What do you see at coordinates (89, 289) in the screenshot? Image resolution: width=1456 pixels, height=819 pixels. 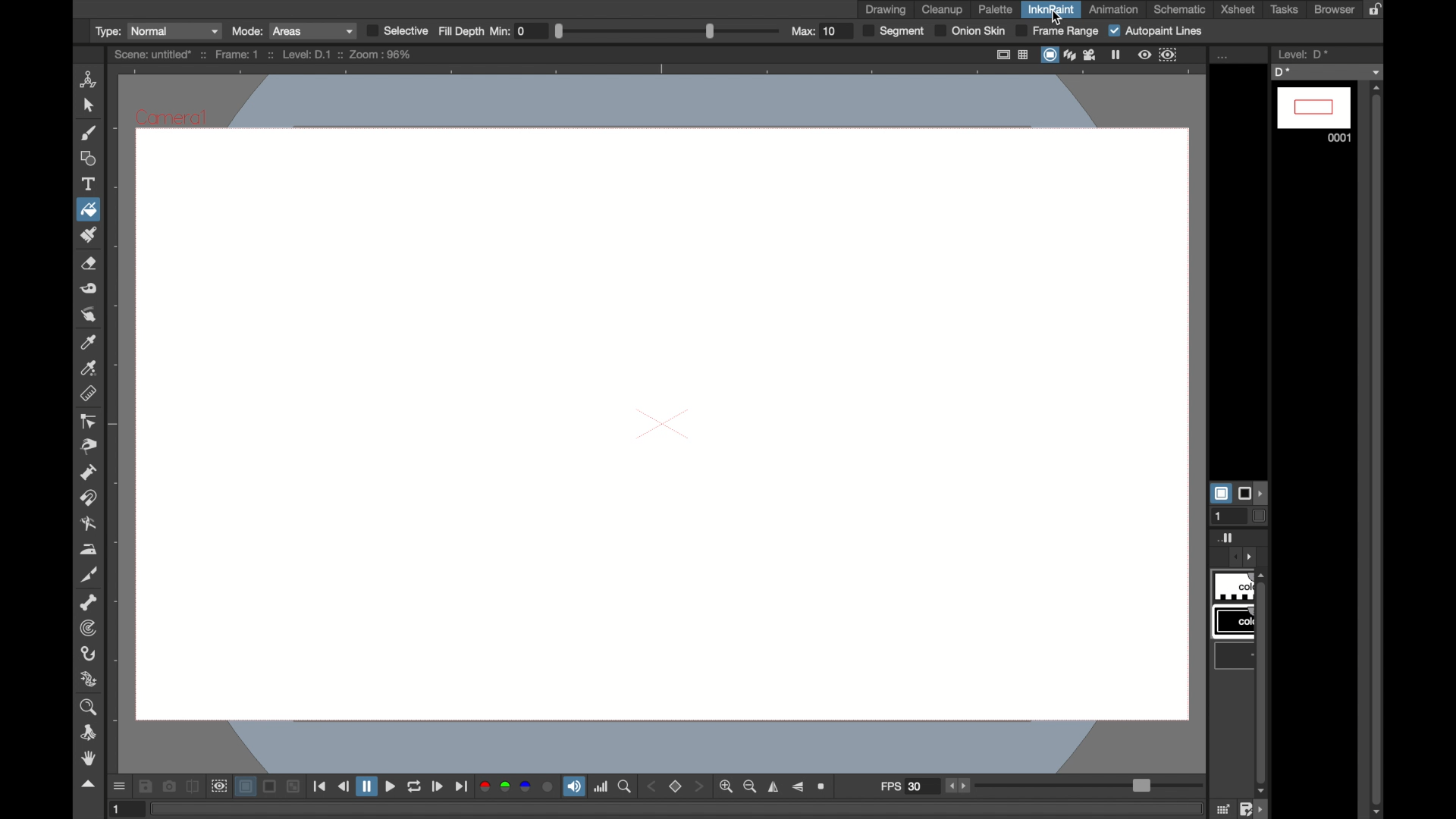 I see `tape tool` at bounding box center [89, 289].